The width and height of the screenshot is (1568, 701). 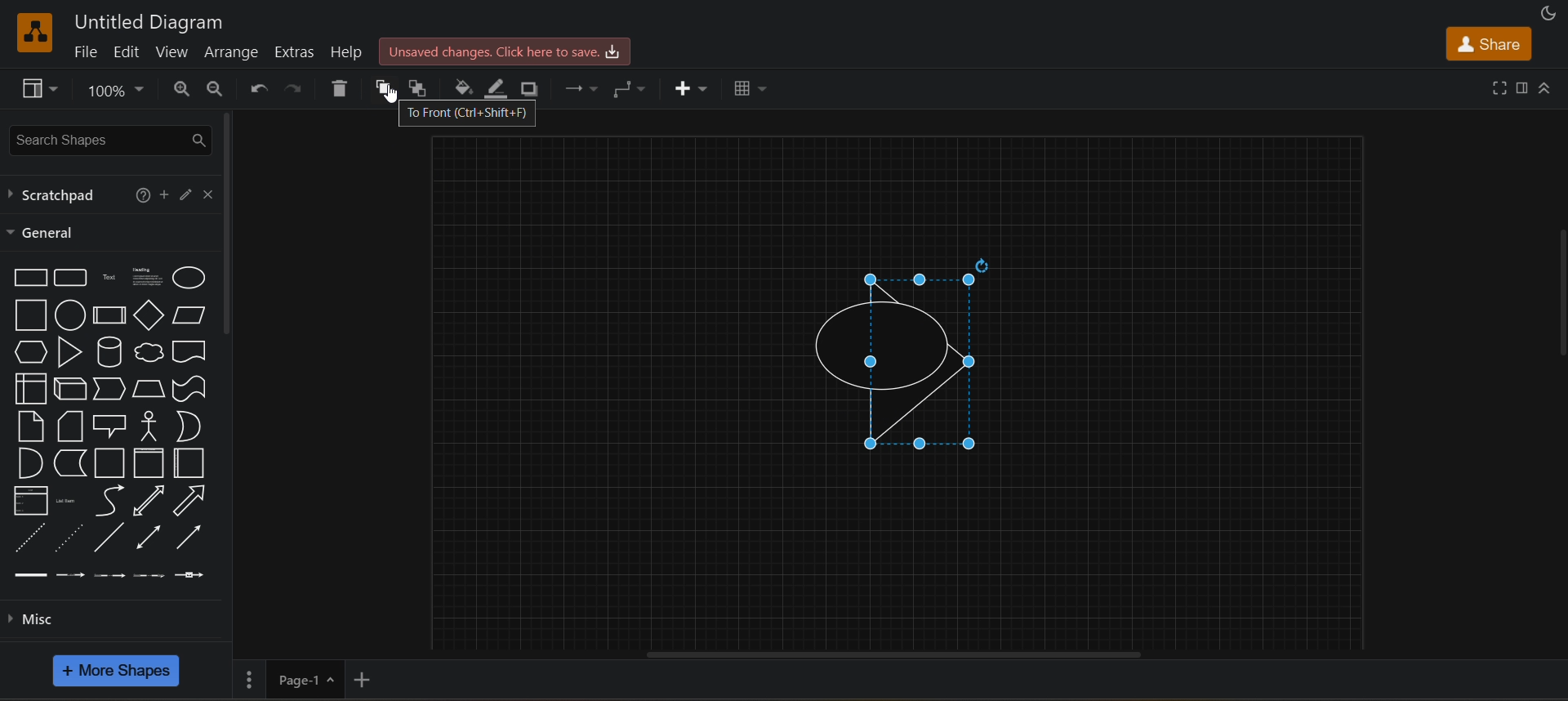 I want to click on draw io logo, so click(x=34, y=32).